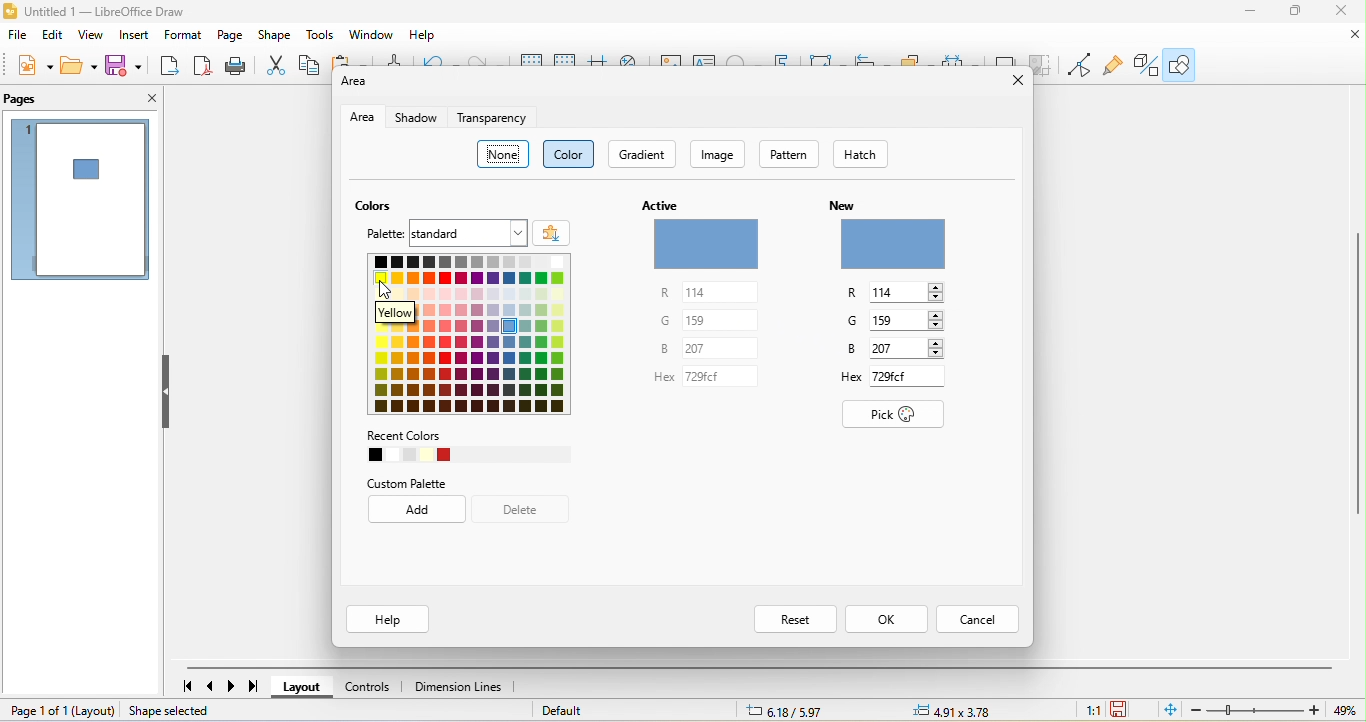 The image size is (1366, 722). What do you see at coordinates (380, 291) in the screenshot?
I see `cursor movement` at bounding box center [380, 291].